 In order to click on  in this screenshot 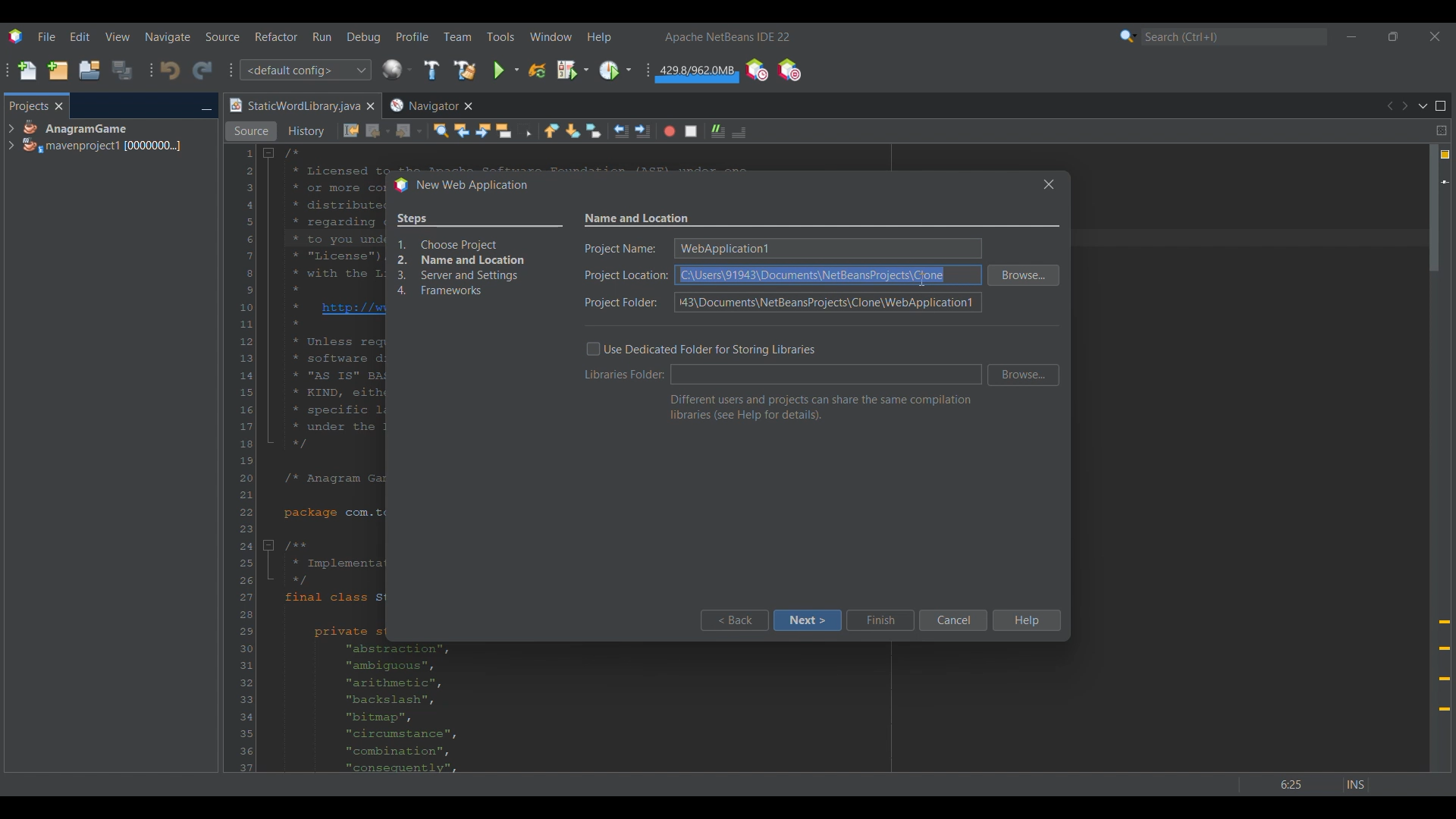, I will do `click(1045, 184)`.